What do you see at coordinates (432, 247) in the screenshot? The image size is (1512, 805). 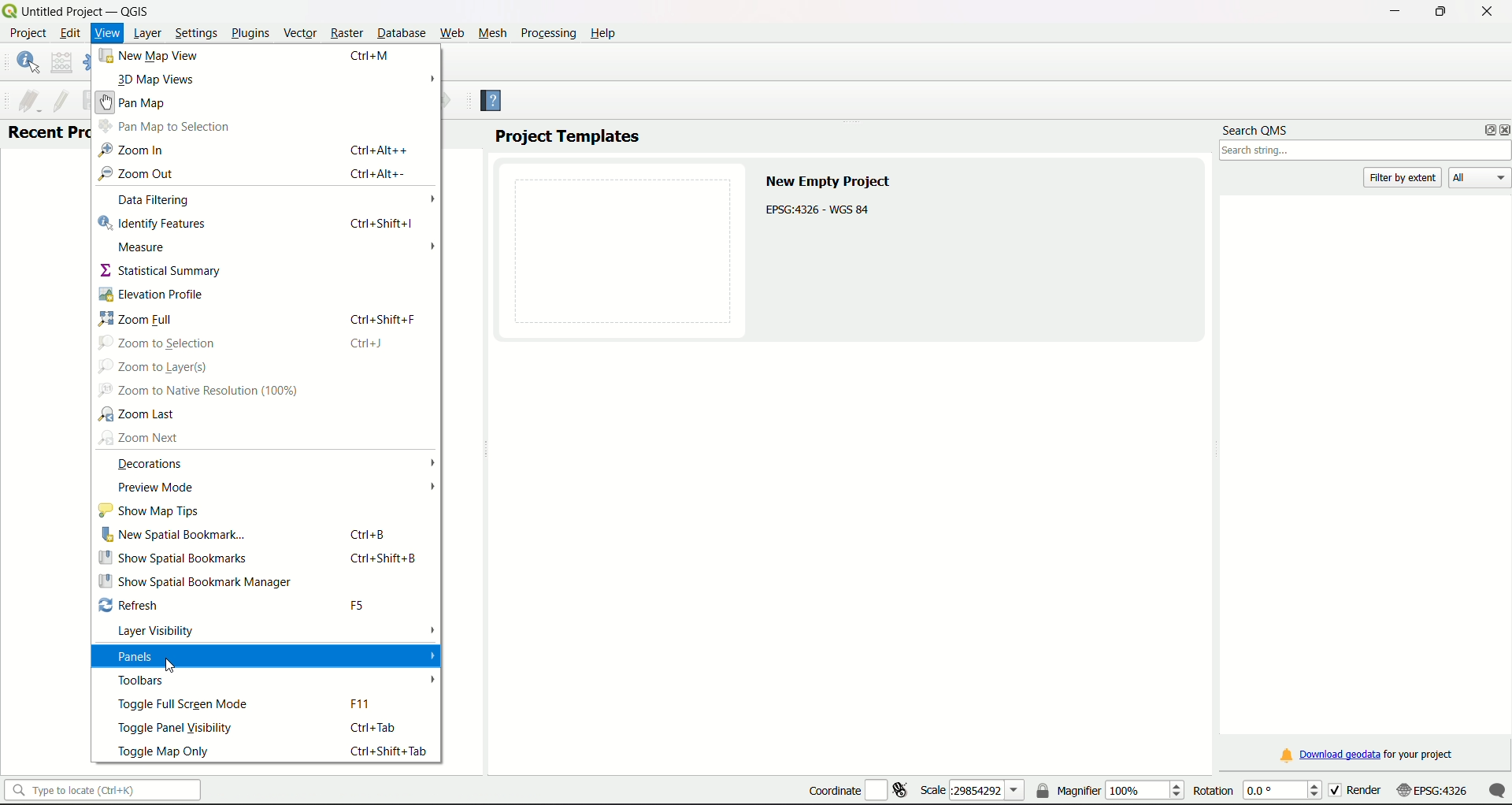 I see `Arrow` at bounding box center [432, 247].